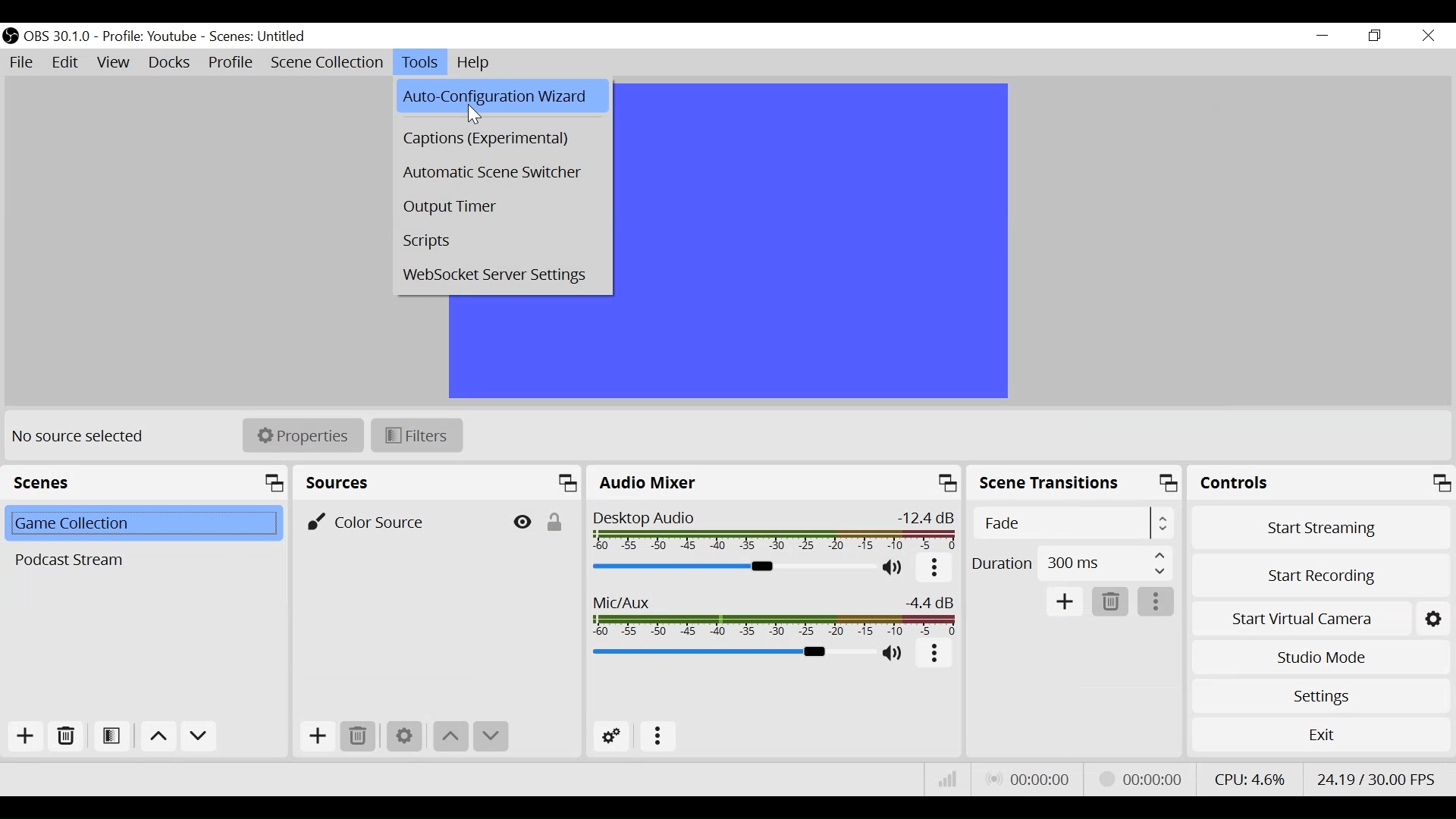 The image size is (1456, 819). Describe the element at coordinates (659, 738) in the screenshot. I see `more options` at that location.